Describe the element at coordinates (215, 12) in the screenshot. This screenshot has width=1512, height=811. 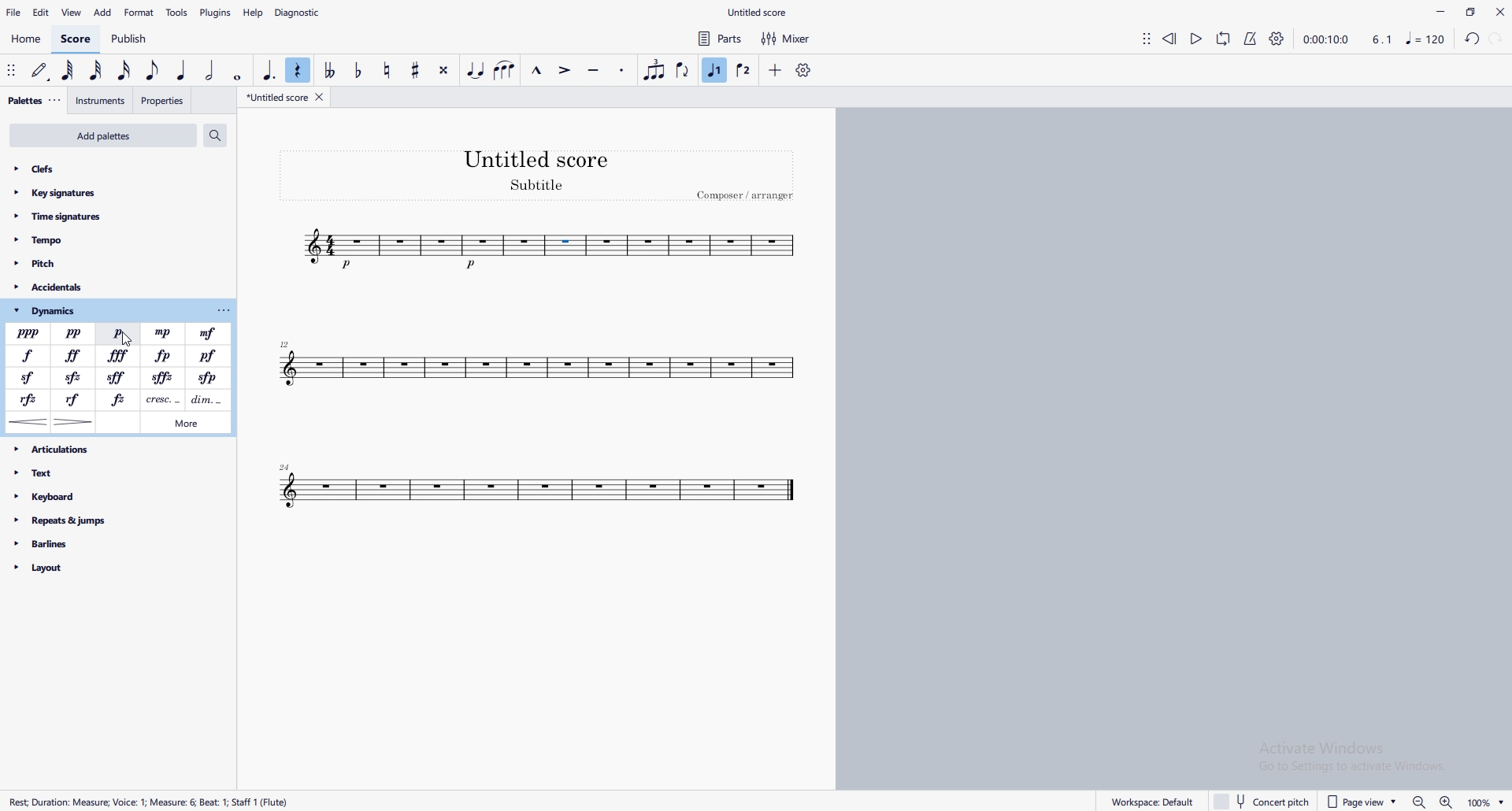
I see `plugins` at that location.